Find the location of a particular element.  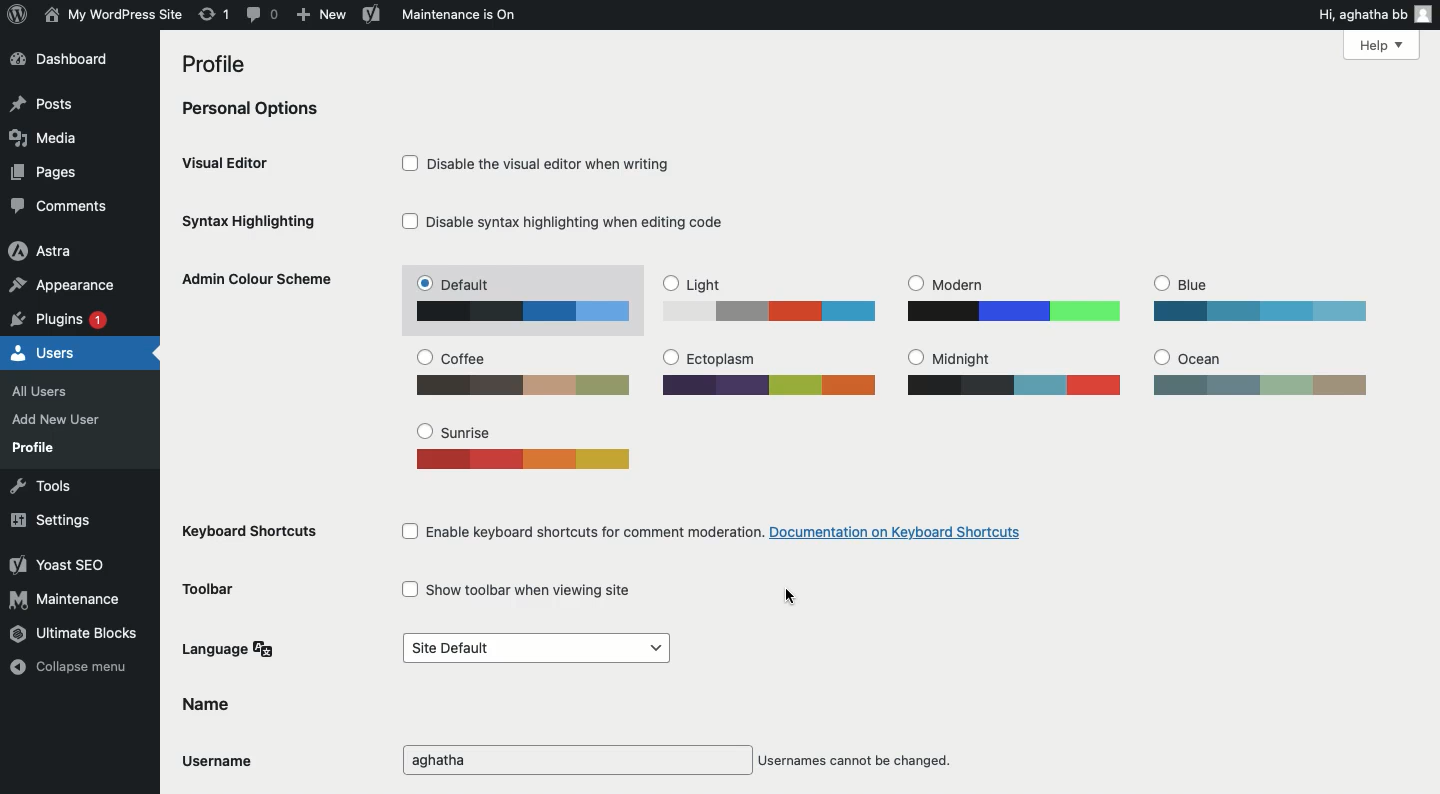

Profile is located at coordinates (219, 68).